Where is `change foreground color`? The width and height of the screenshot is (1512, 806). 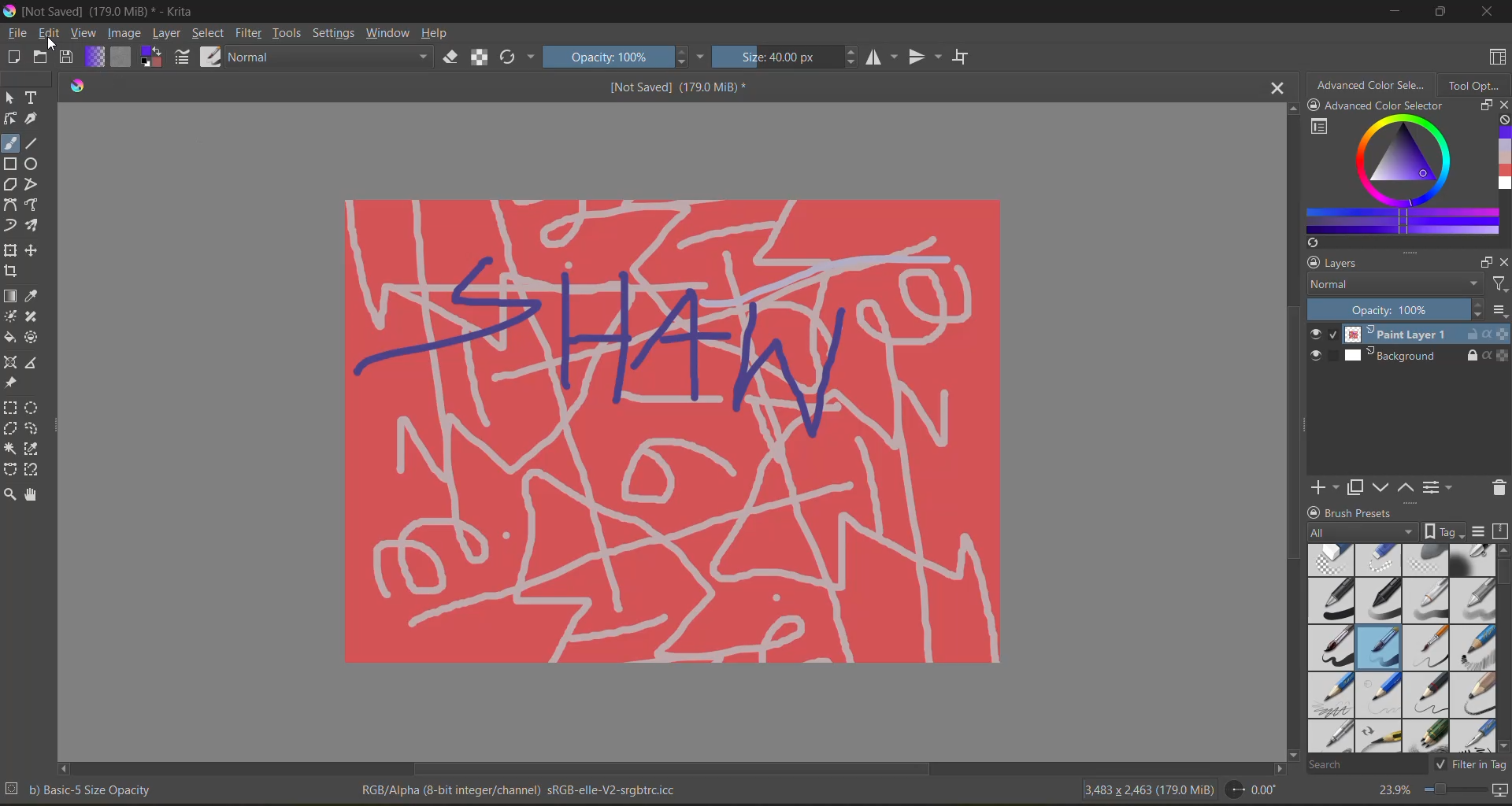 change foreground color is located at coordinates (155, 57).